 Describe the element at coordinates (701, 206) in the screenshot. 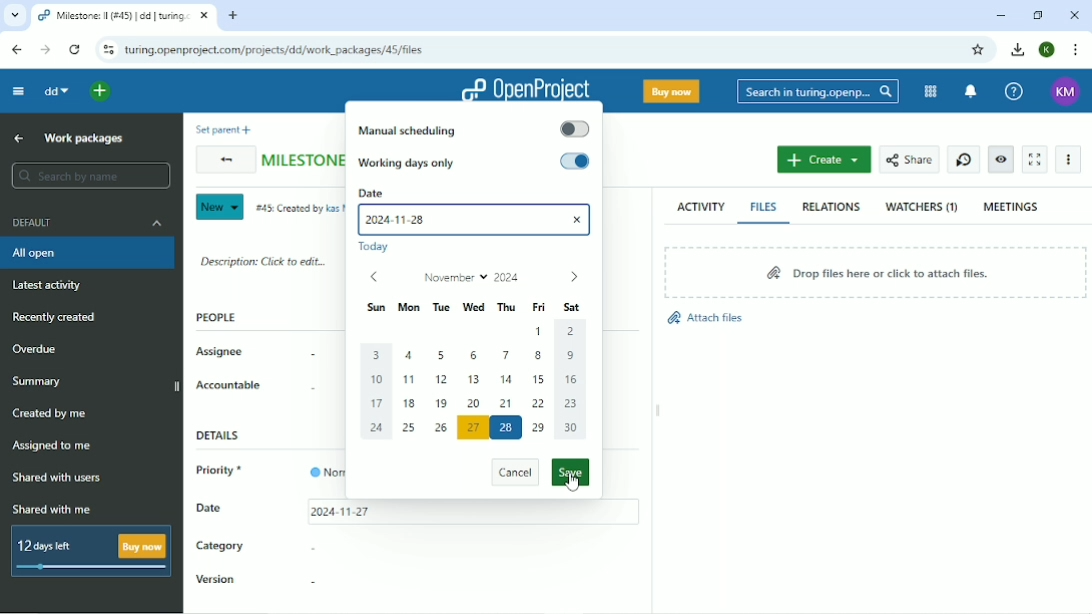

I see `Activity` at that location.